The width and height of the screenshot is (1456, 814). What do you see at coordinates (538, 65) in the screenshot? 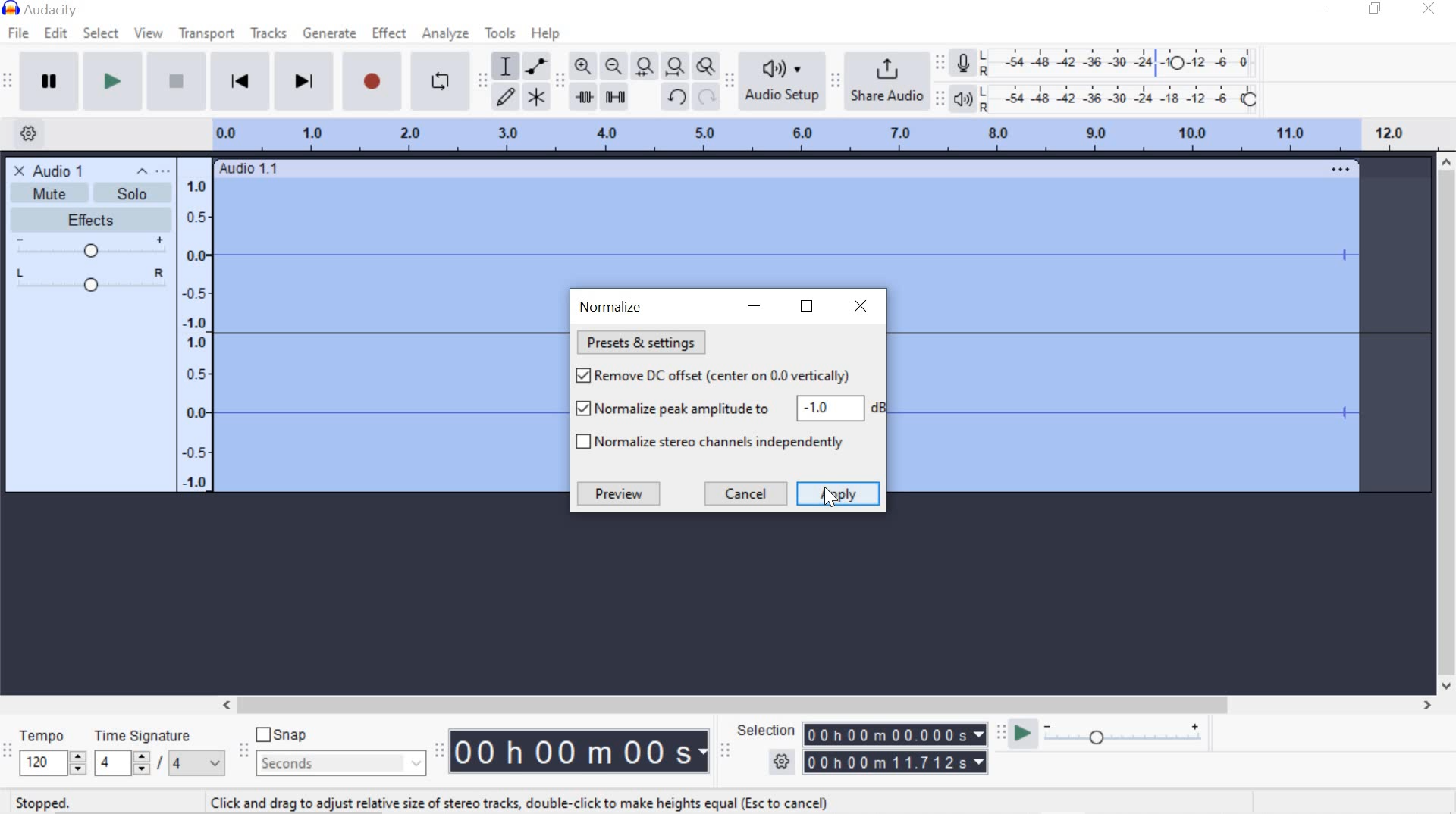
I see `Envelope Tool` at bounding box center [538, 65].